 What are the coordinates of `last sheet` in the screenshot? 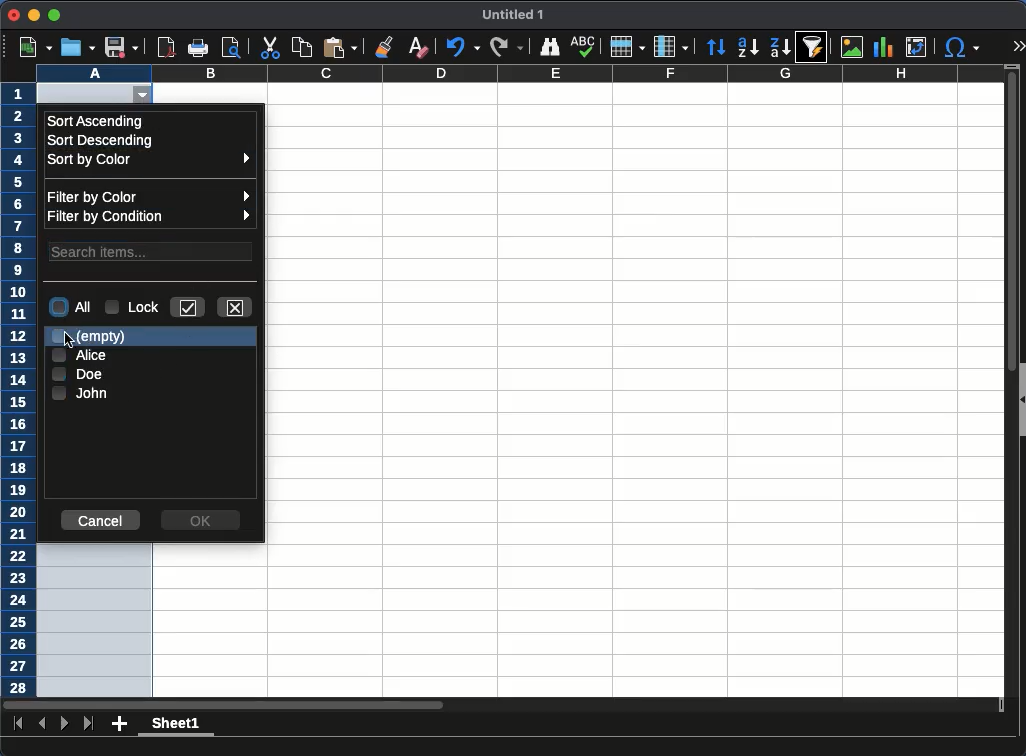 It's located at (90, 724).